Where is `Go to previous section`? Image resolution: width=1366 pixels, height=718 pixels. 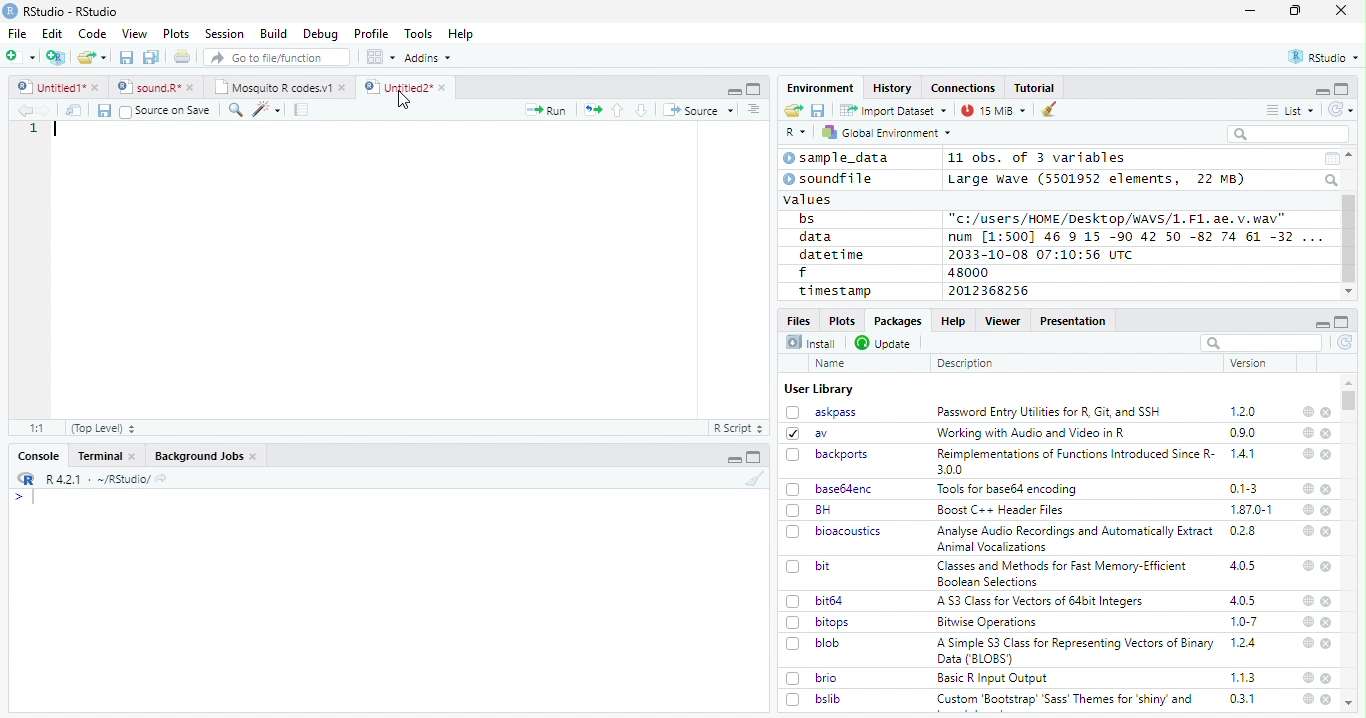
Go to previous section is located at coordinates (619, 110).